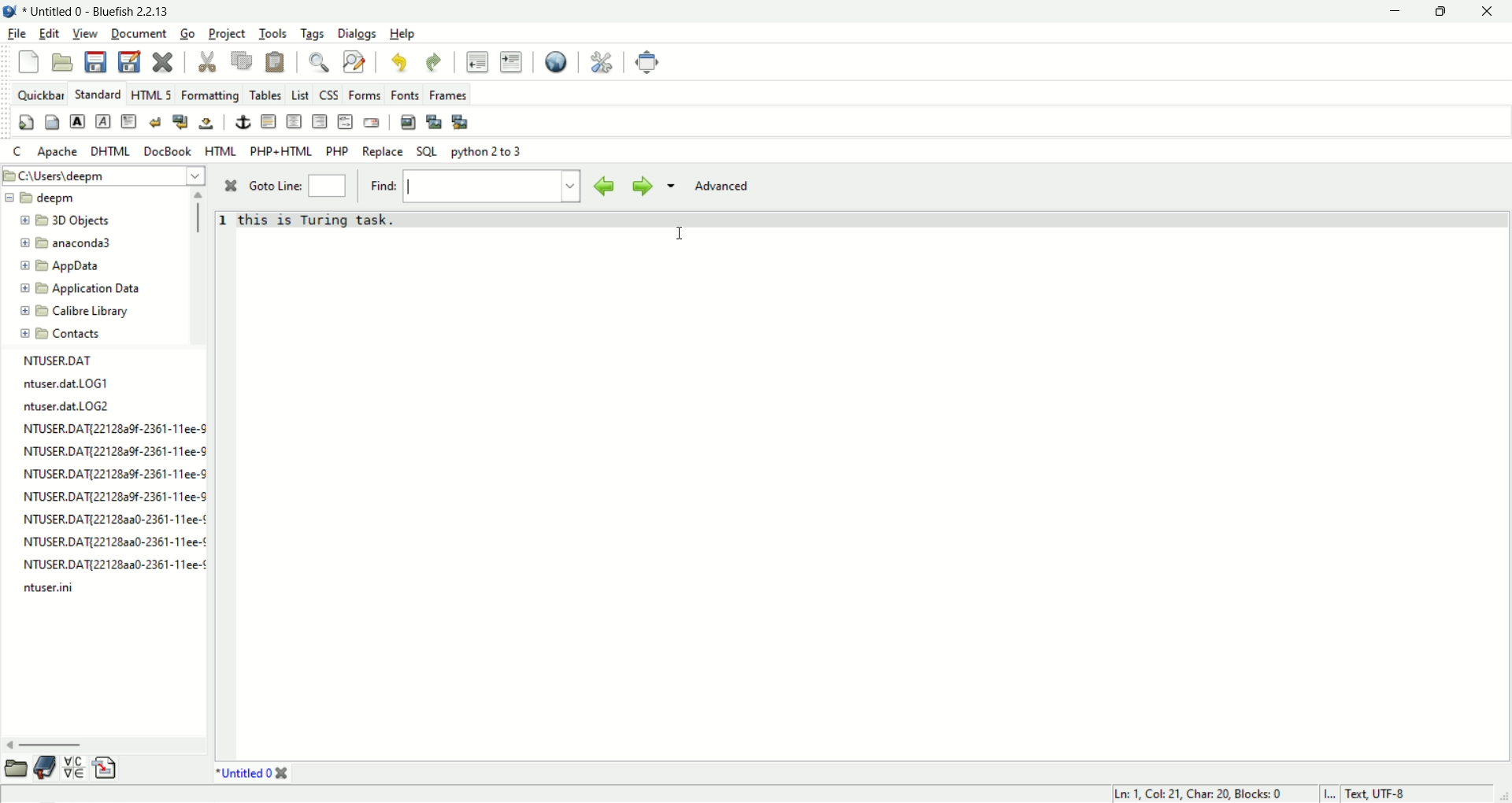 This screenshot has width=1512, height=803. Describe the element at coordinates (323, 63) in the screenshot. I see `find` at that location.